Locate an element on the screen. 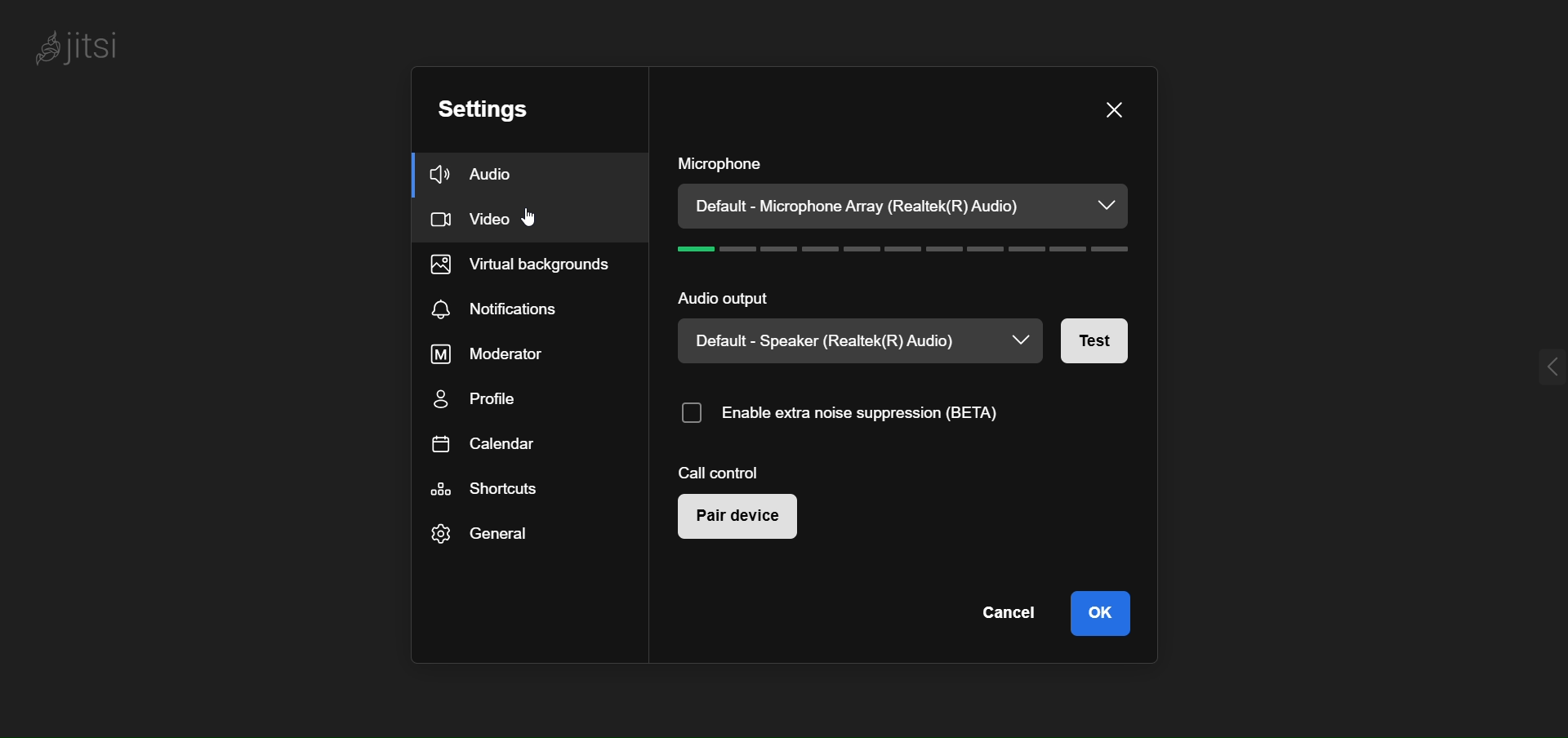 This screenshot has height=738, width=1568. moderator is located at coordinates (493, 354).